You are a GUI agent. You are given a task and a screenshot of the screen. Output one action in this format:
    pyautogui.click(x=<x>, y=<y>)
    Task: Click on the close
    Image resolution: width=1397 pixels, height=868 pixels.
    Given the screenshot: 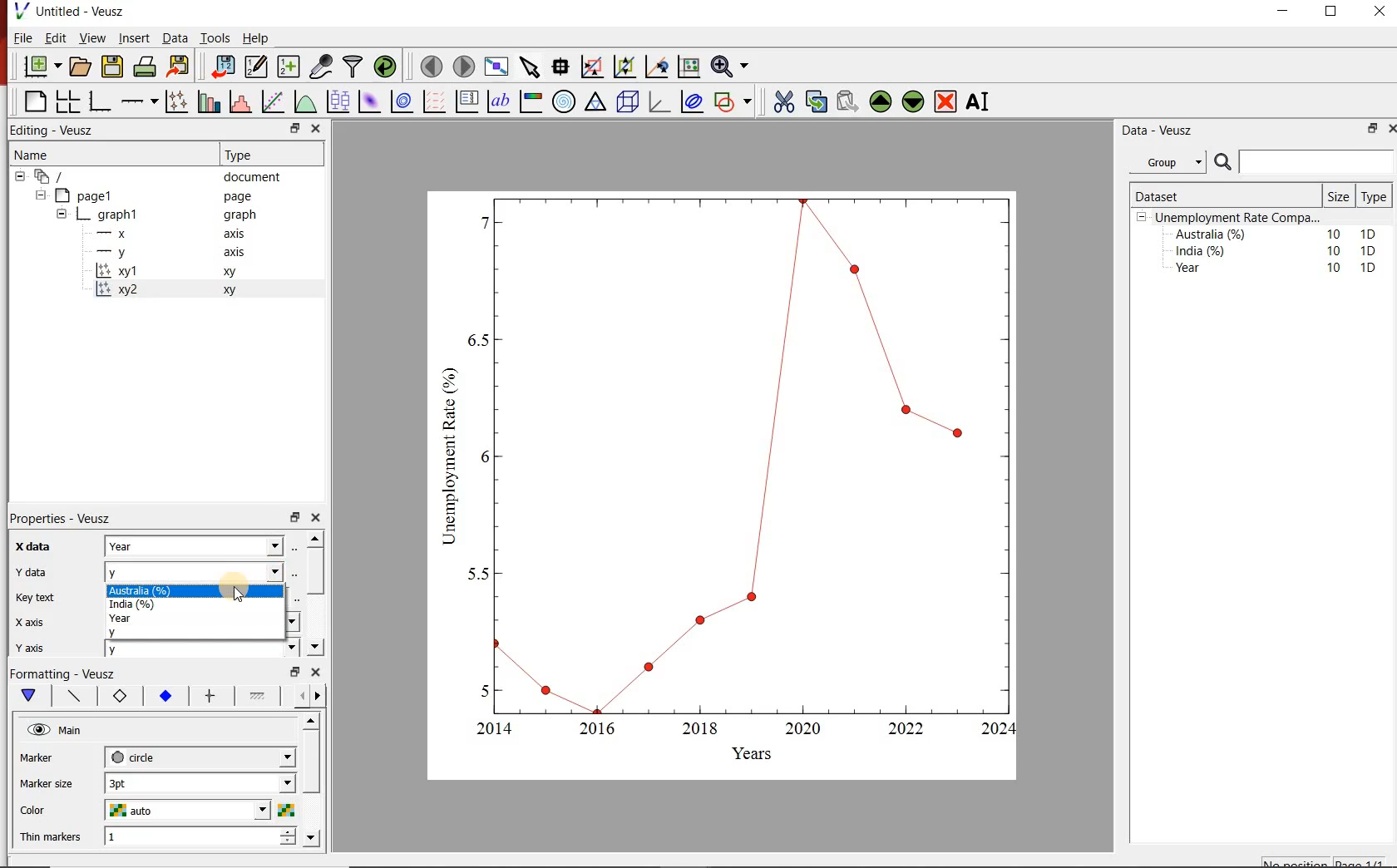 What is the action you would take?
    pyautogui.click(x=1378, y=15)
    